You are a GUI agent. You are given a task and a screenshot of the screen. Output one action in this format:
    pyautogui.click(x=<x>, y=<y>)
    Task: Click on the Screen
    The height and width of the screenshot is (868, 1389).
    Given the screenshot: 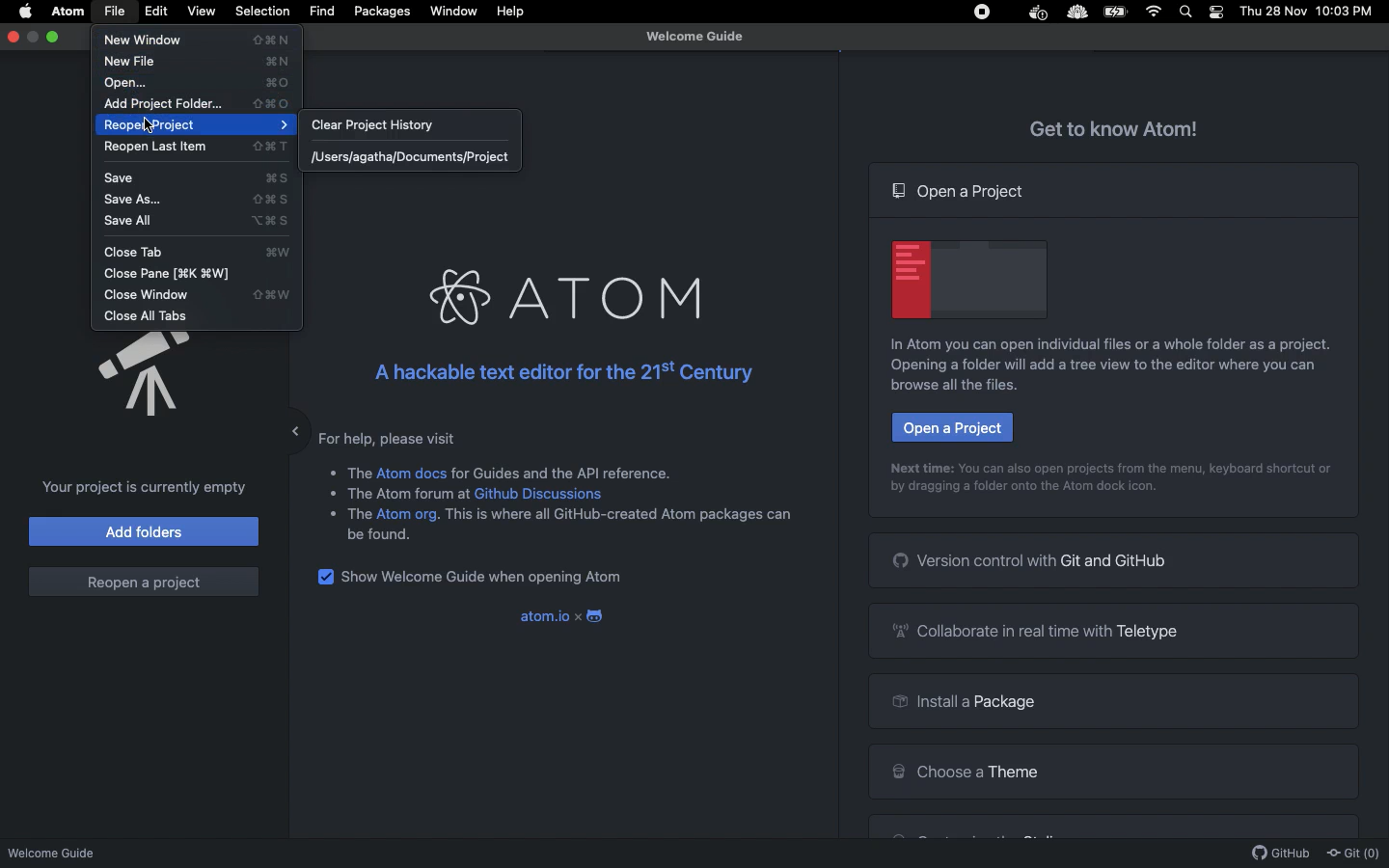 What is the action you would take?
    pyautogui.click(x=970, y=277)
    